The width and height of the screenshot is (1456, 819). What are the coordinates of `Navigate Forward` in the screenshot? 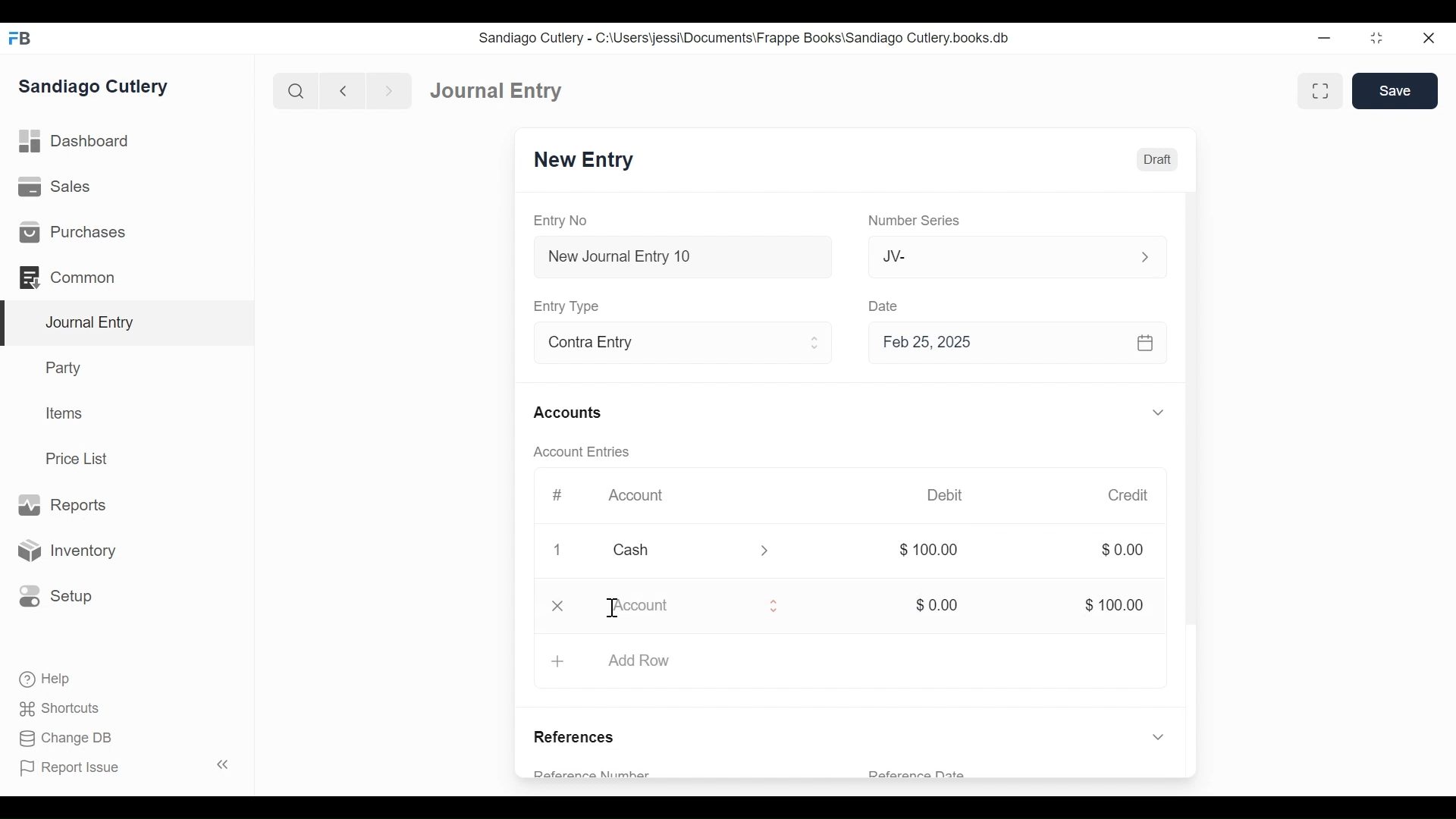 It's located at (390, 89).